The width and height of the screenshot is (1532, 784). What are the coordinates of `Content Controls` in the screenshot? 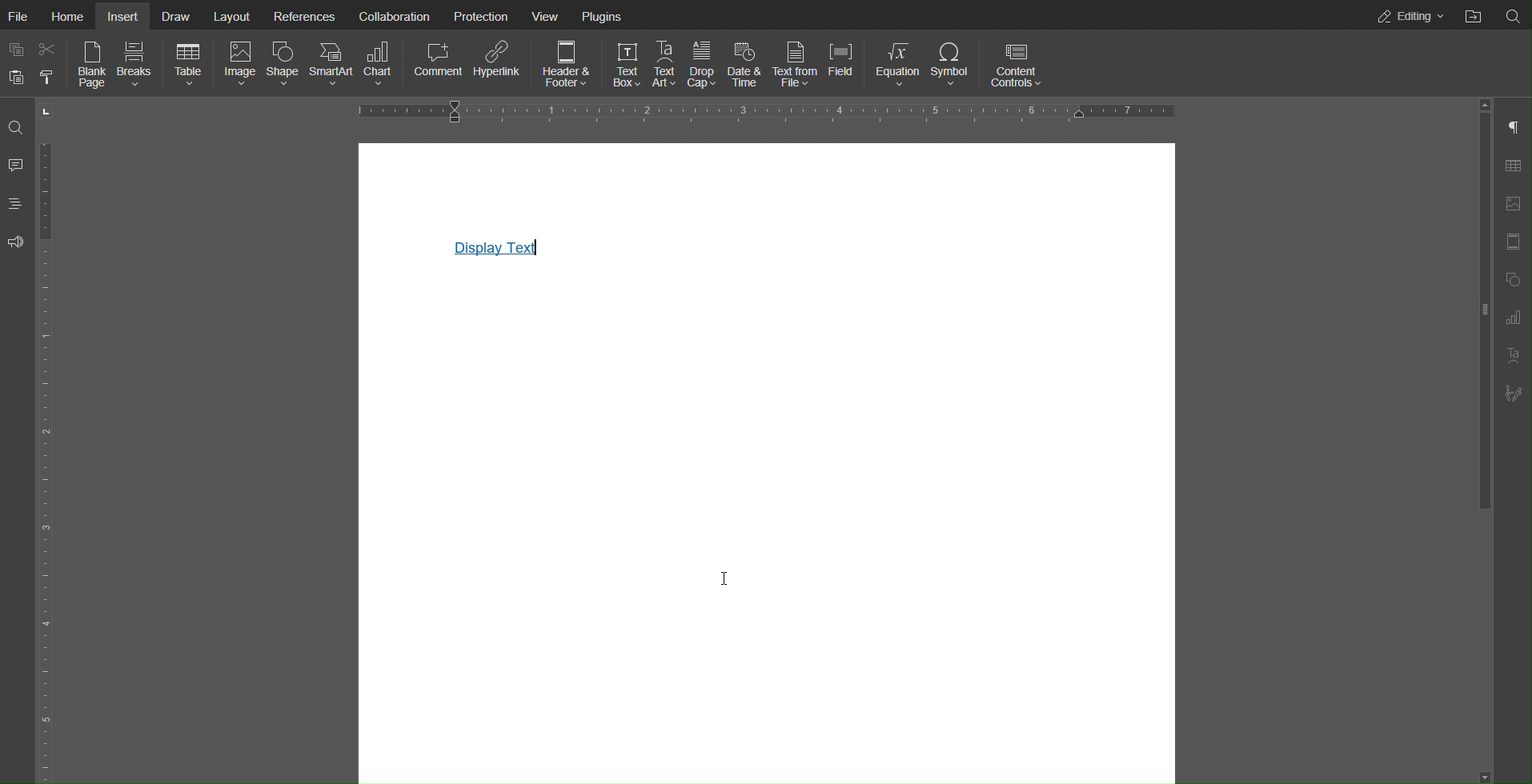 It's located at (1020, 64).